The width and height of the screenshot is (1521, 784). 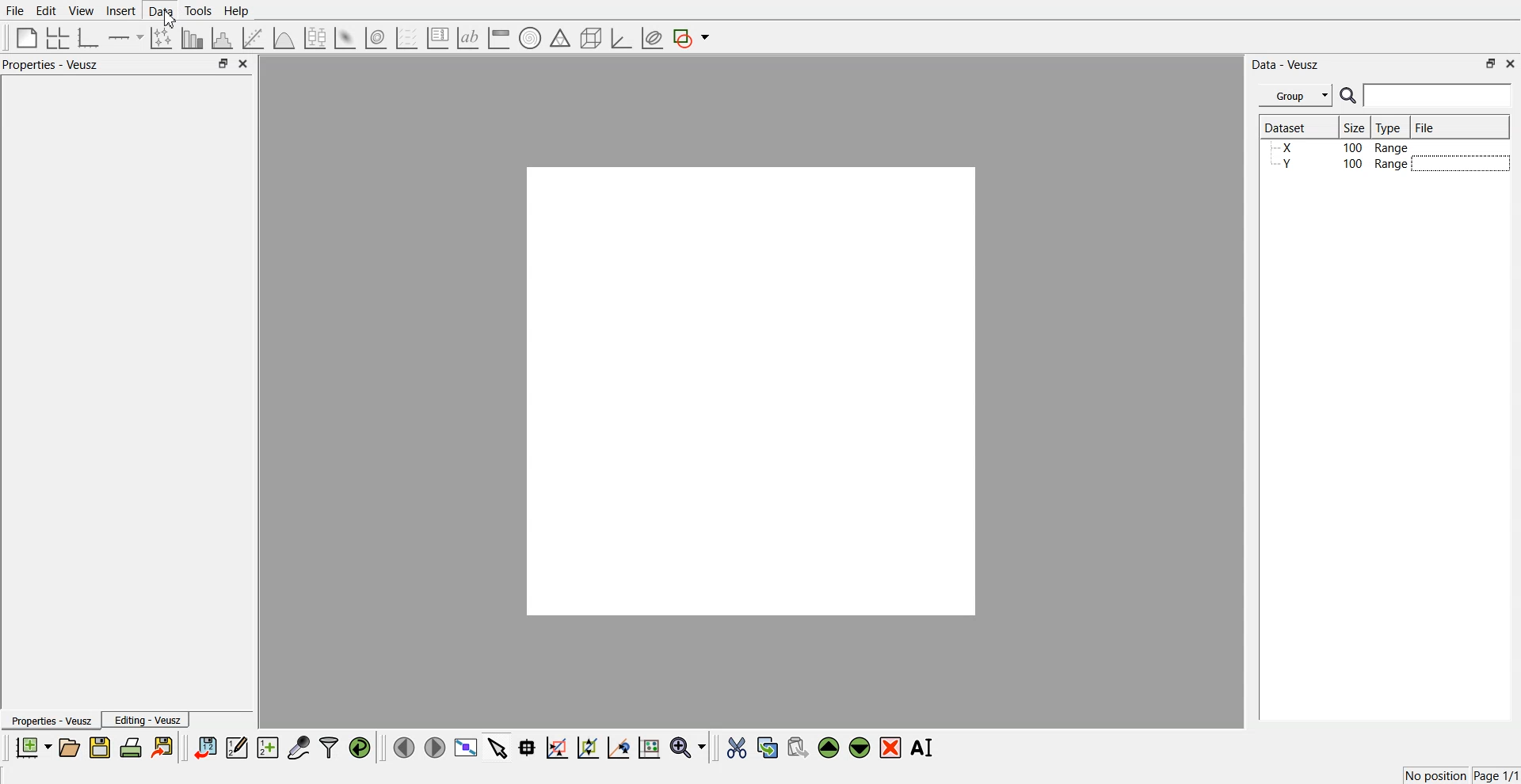 What do you see at coordinates (169, 19) in the screenshot?
I see `Cursor` at bounding box center [169, 19].